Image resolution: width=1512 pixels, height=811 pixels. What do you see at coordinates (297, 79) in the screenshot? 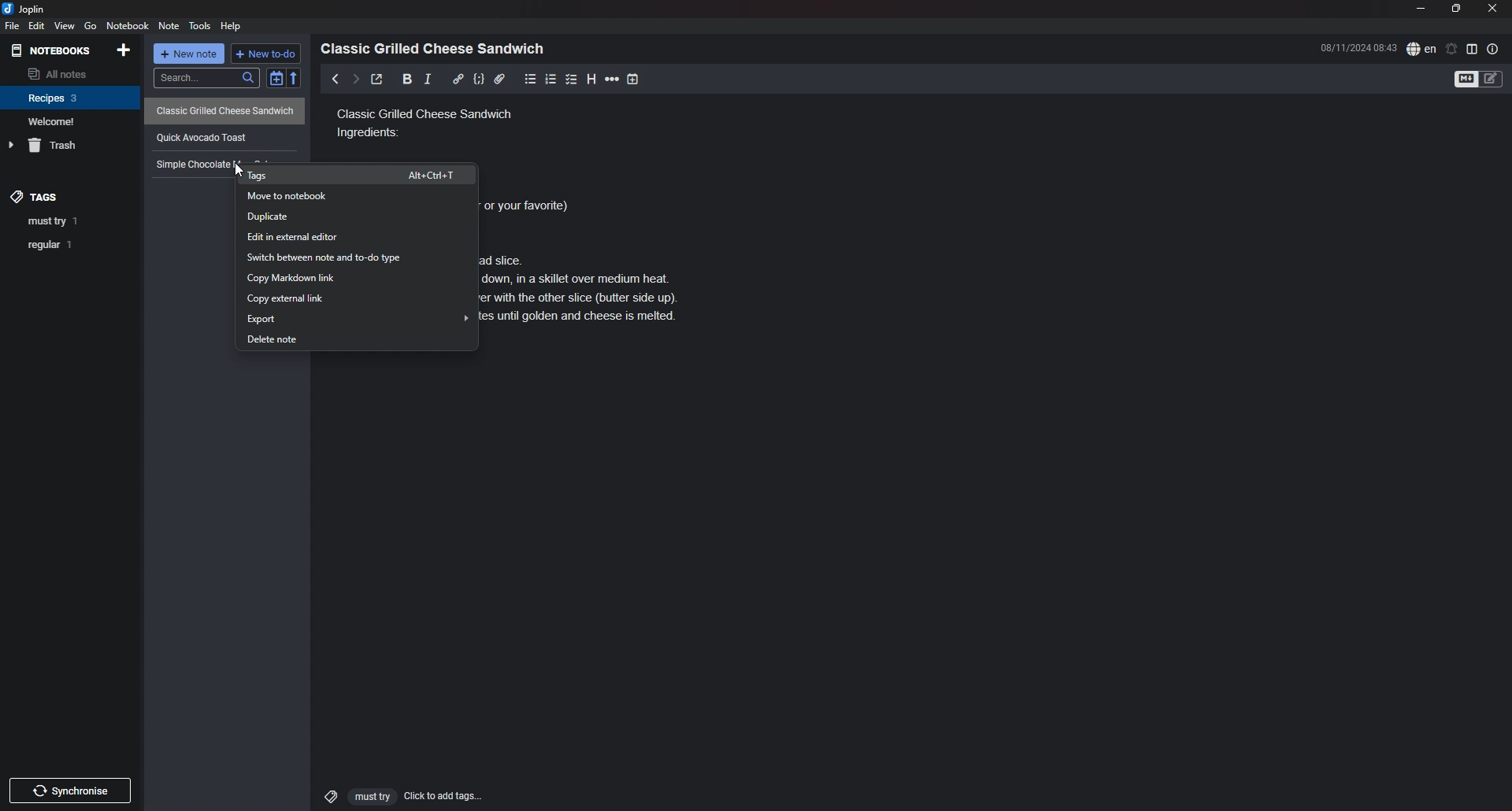
I see `reverse sort order` at bounding box center [297, 79].